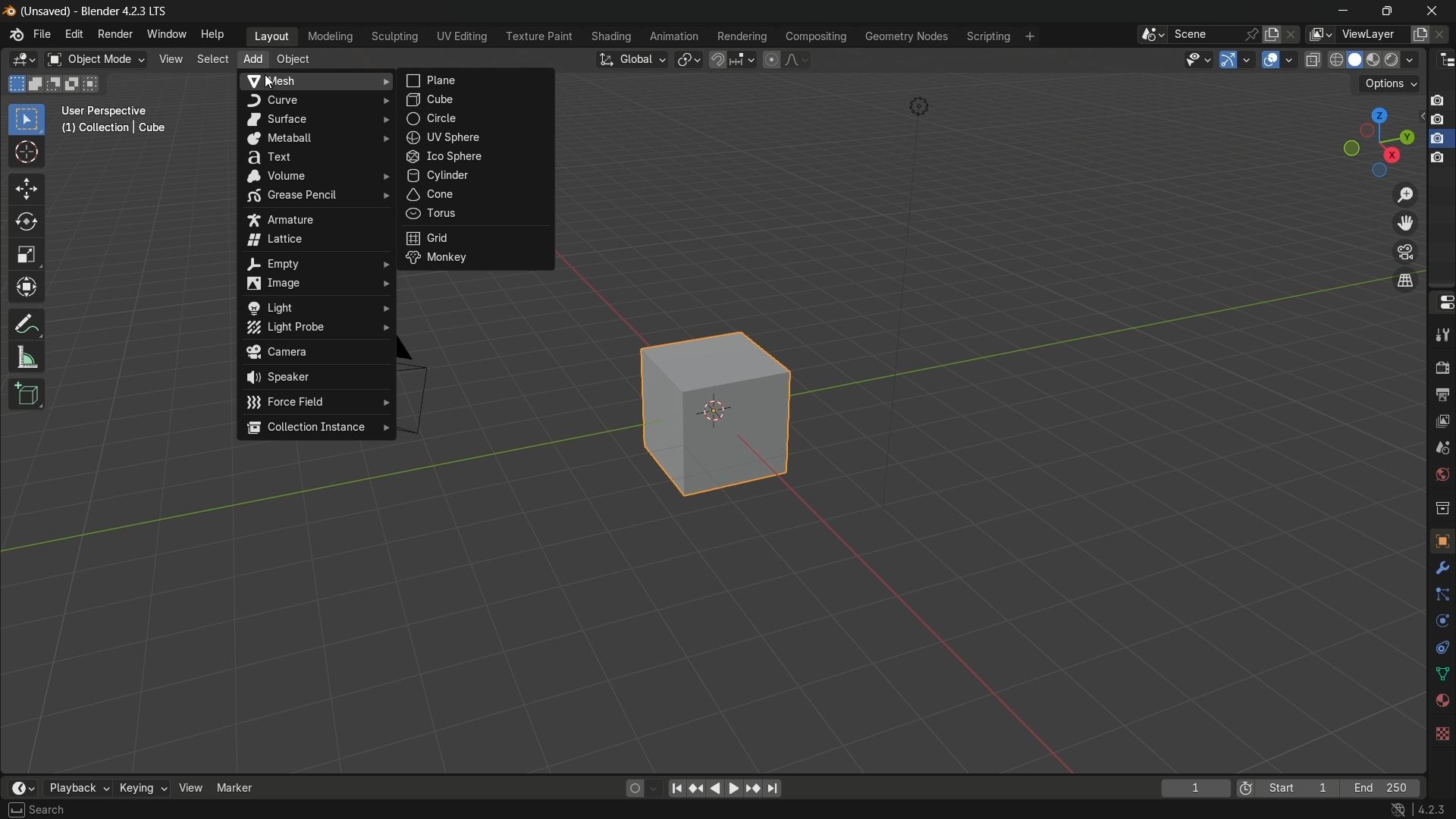 Image resolution: width=1456 pixels, height=819 pixels. What do you see at coordinates (1293, 34) in the screenshot?
I see `delete scene` at bounding box center [1293, 34].